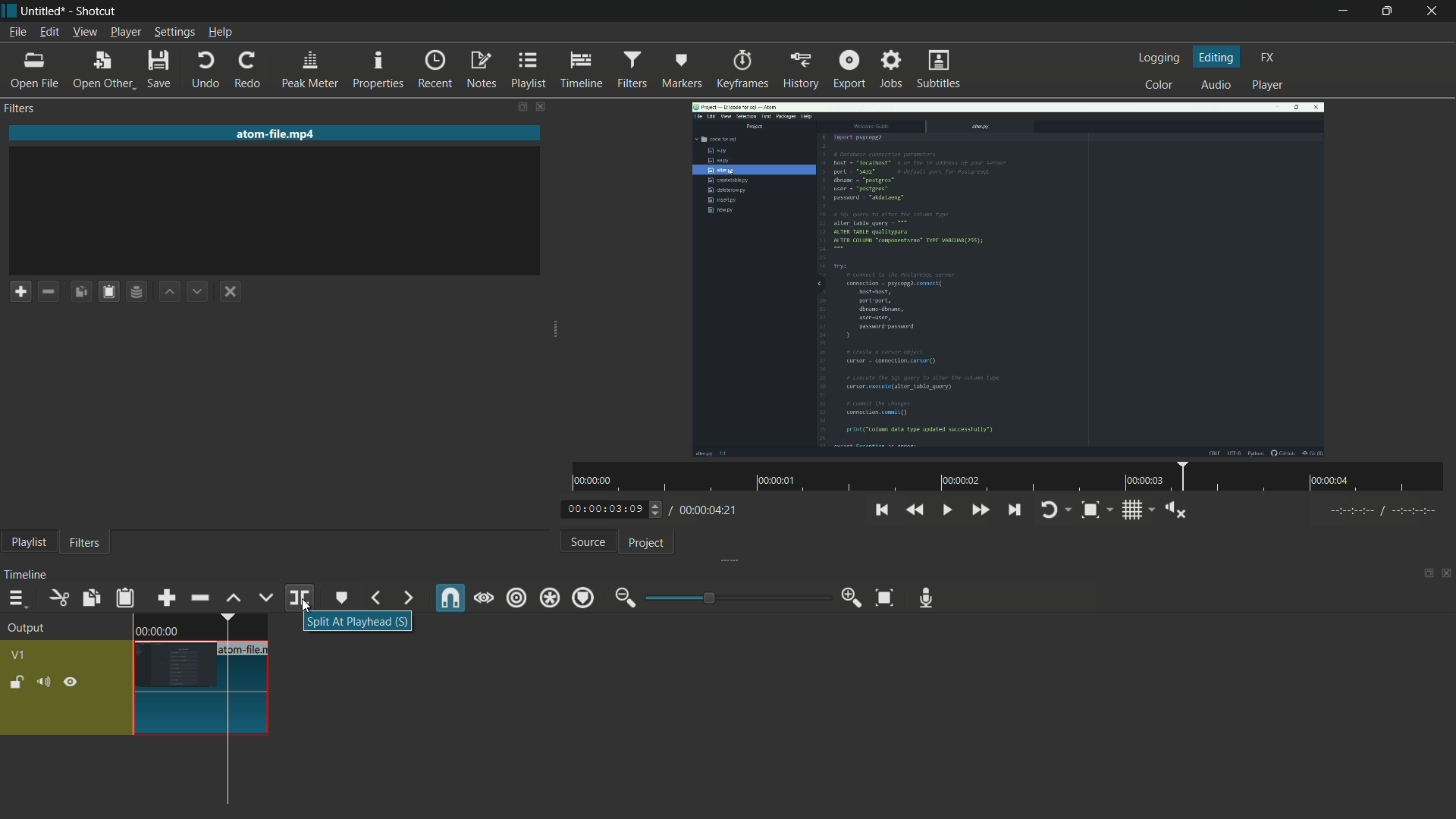 The width and height of the screenshot is (1456, 819). What do you see at coordinates (234, 598) in the screenshot?
I see `lift` at bounding box center [234, 598].